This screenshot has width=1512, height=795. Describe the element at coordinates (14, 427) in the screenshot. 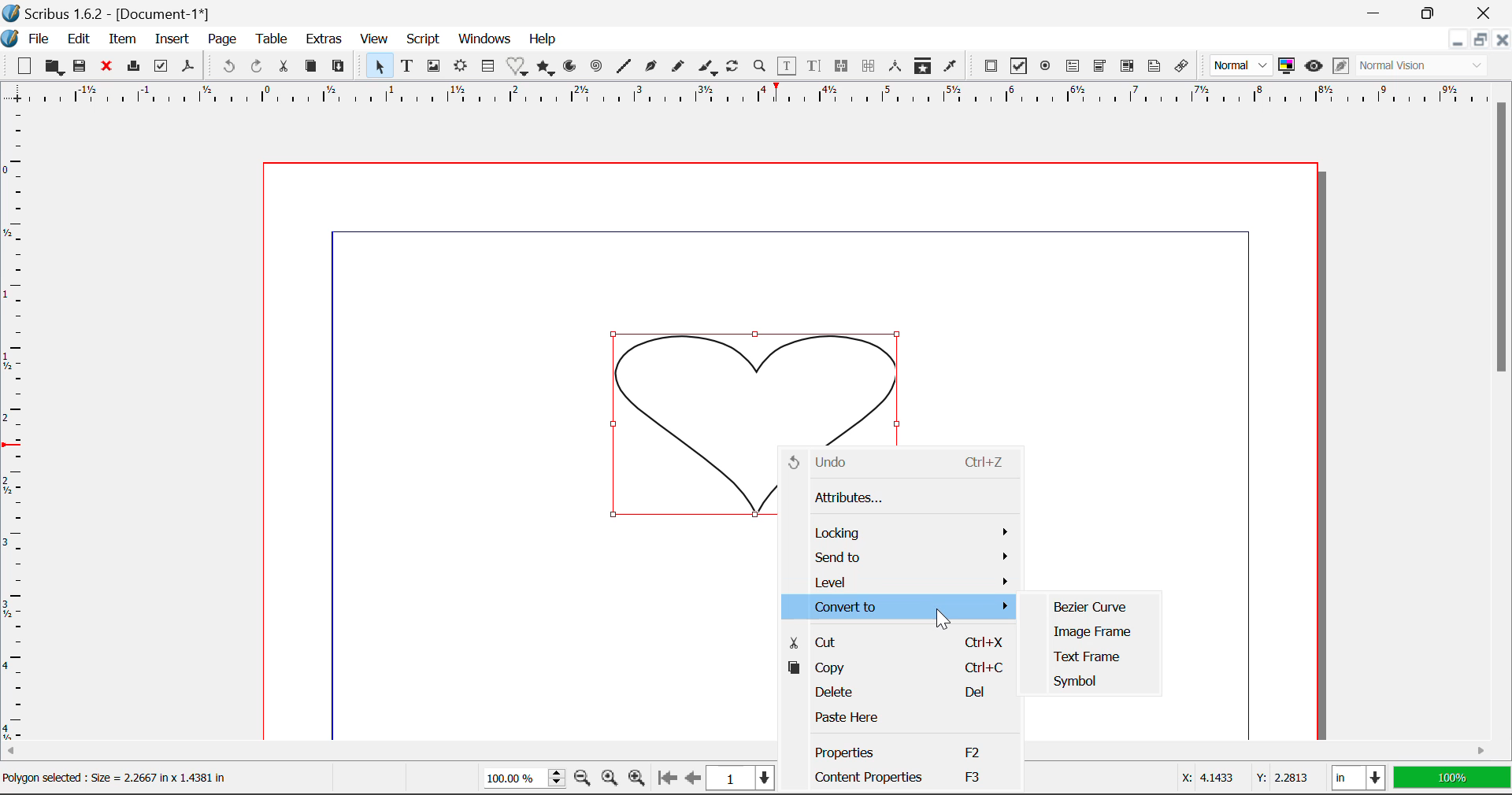

I see `Horizontal Page Margins` at that location.